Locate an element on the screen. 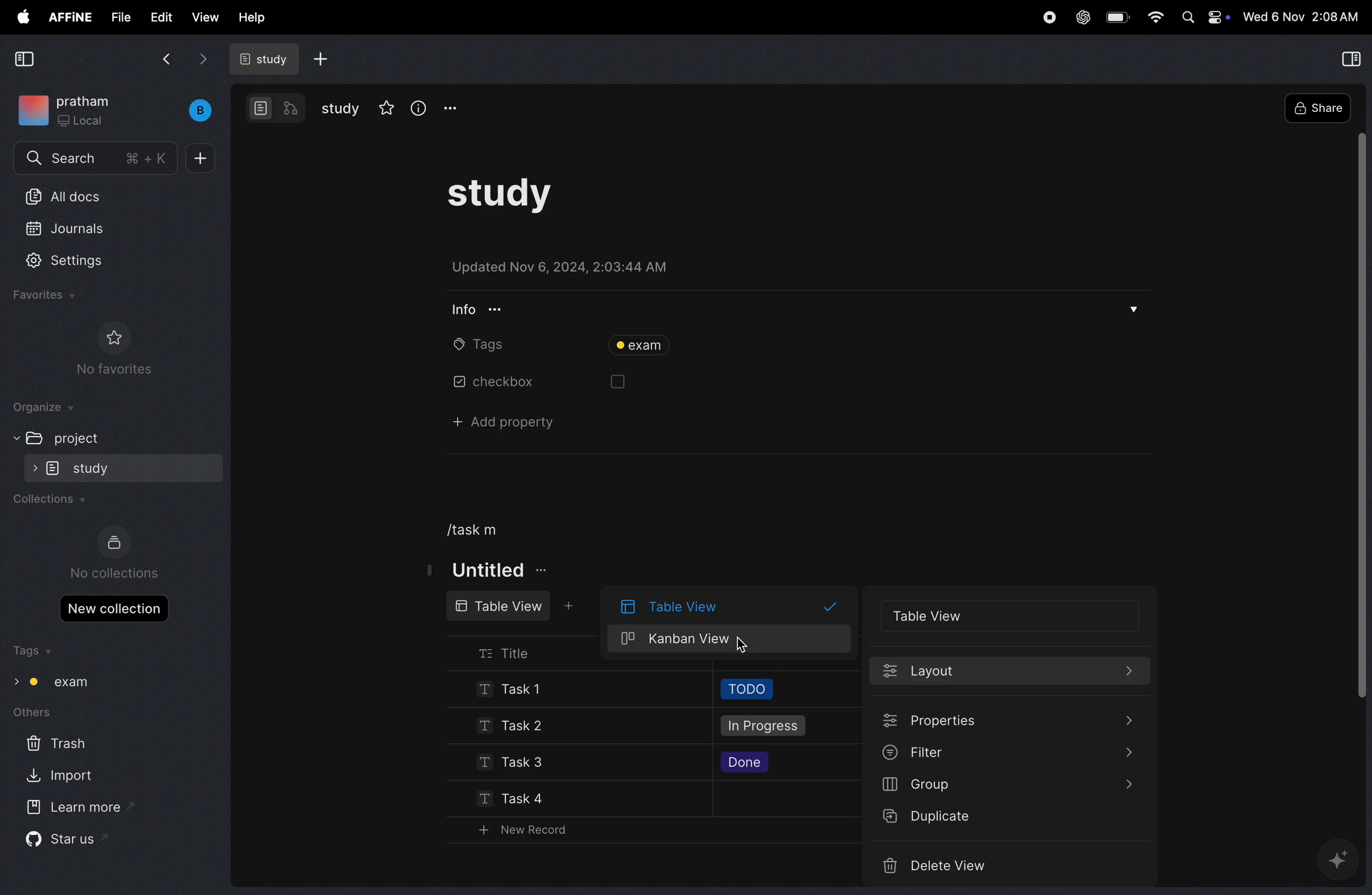 This screenshot has width=1372, height=895. affine is located at coordinates (69, 17).